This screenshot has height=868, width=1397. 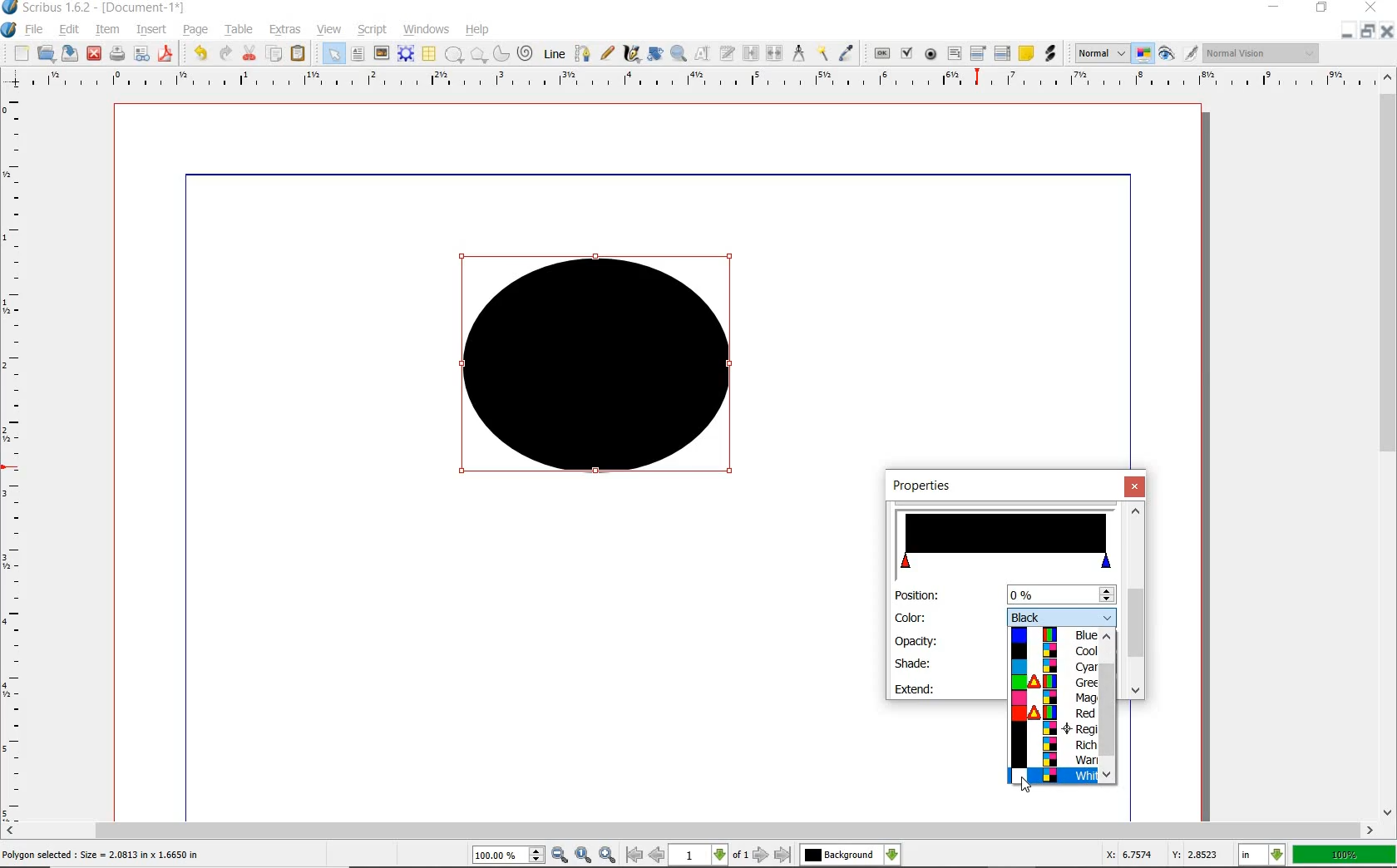 I want to click on TABLE, so click(x=428, y=54).